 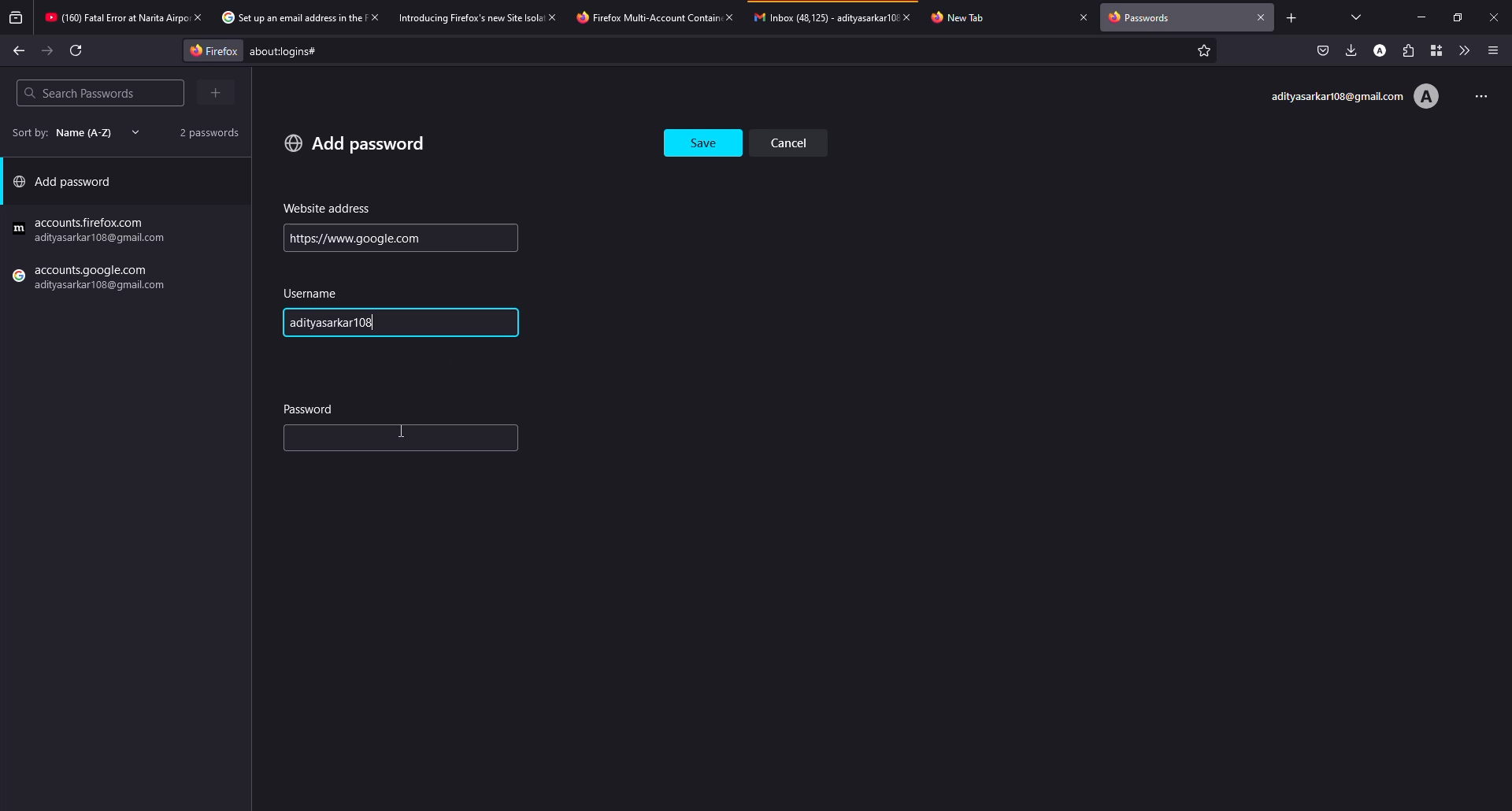 I want to click on cancel, so click(x=795, y=142).